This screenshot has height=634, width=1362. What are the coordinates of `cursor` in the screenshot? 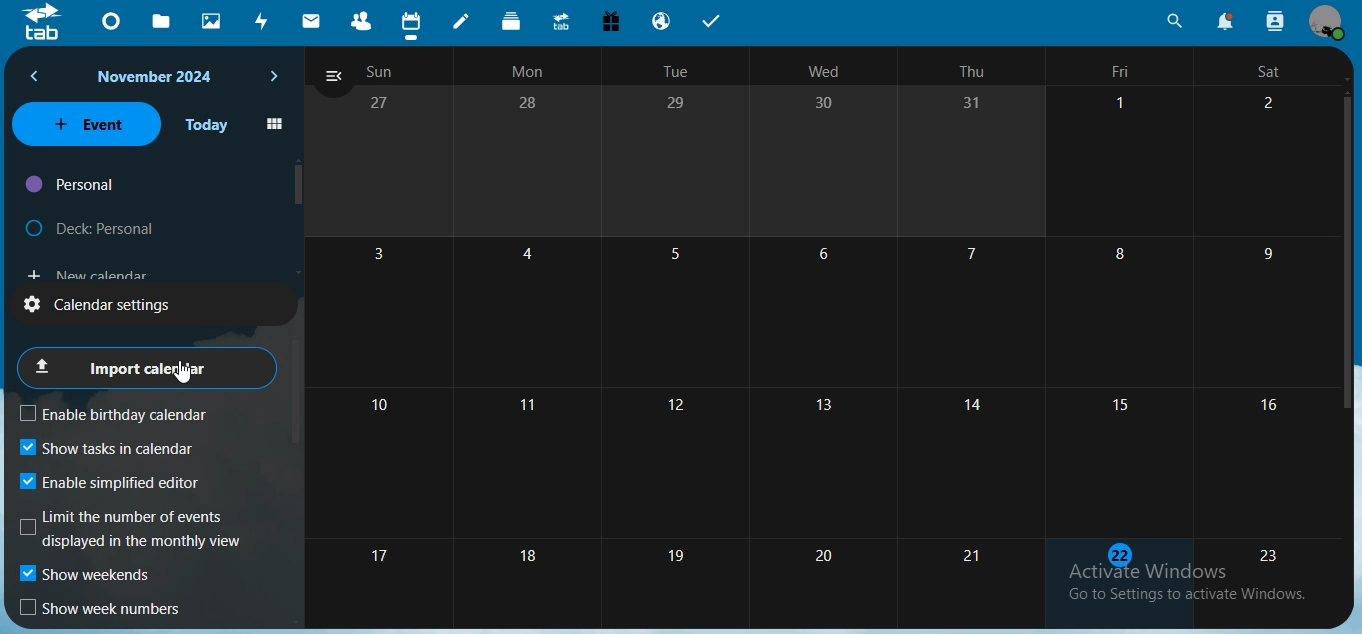 It's located at (183, 372).